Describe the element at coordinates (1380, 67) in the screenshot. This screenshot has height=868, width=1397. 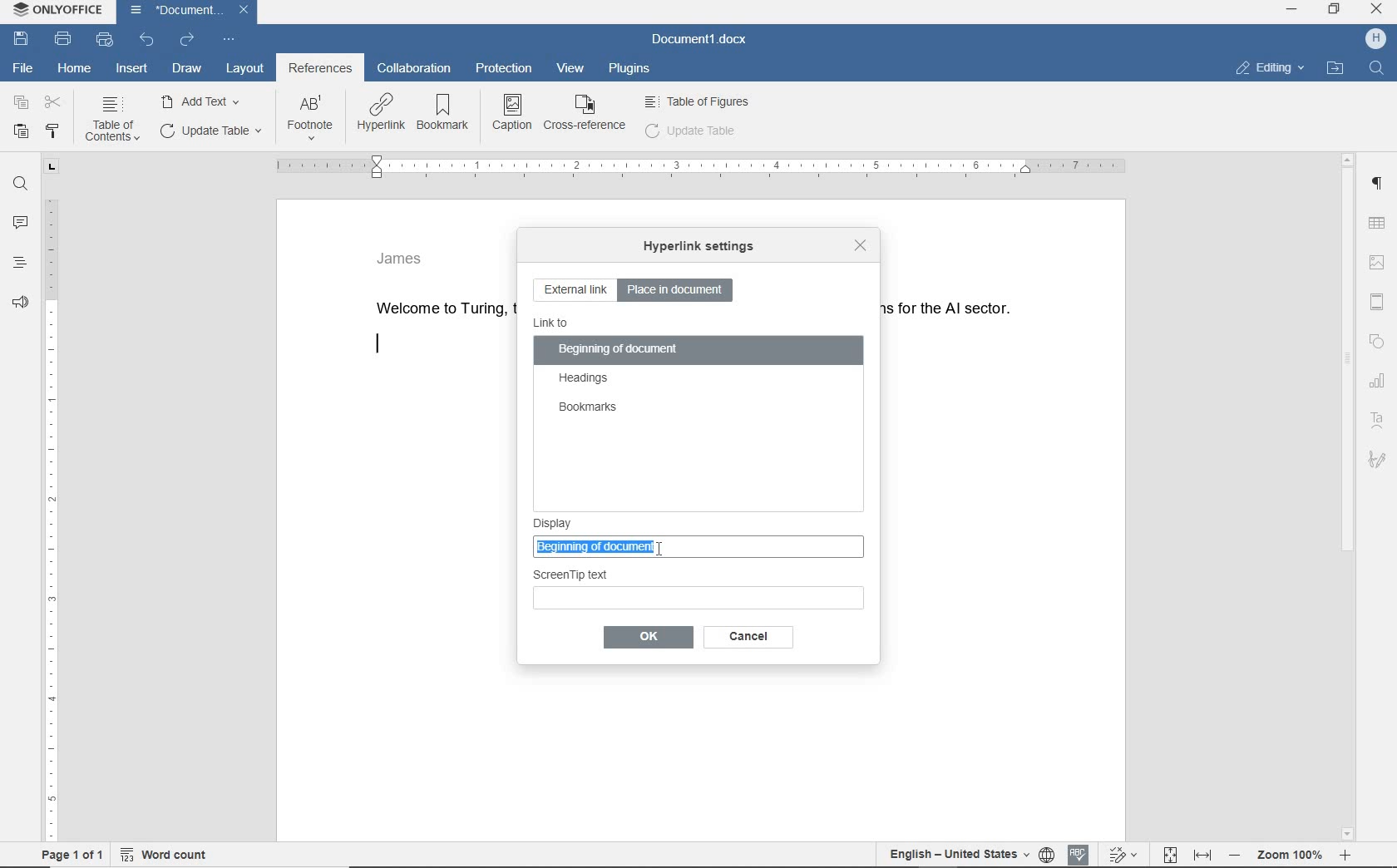
I see `Find` at that location.